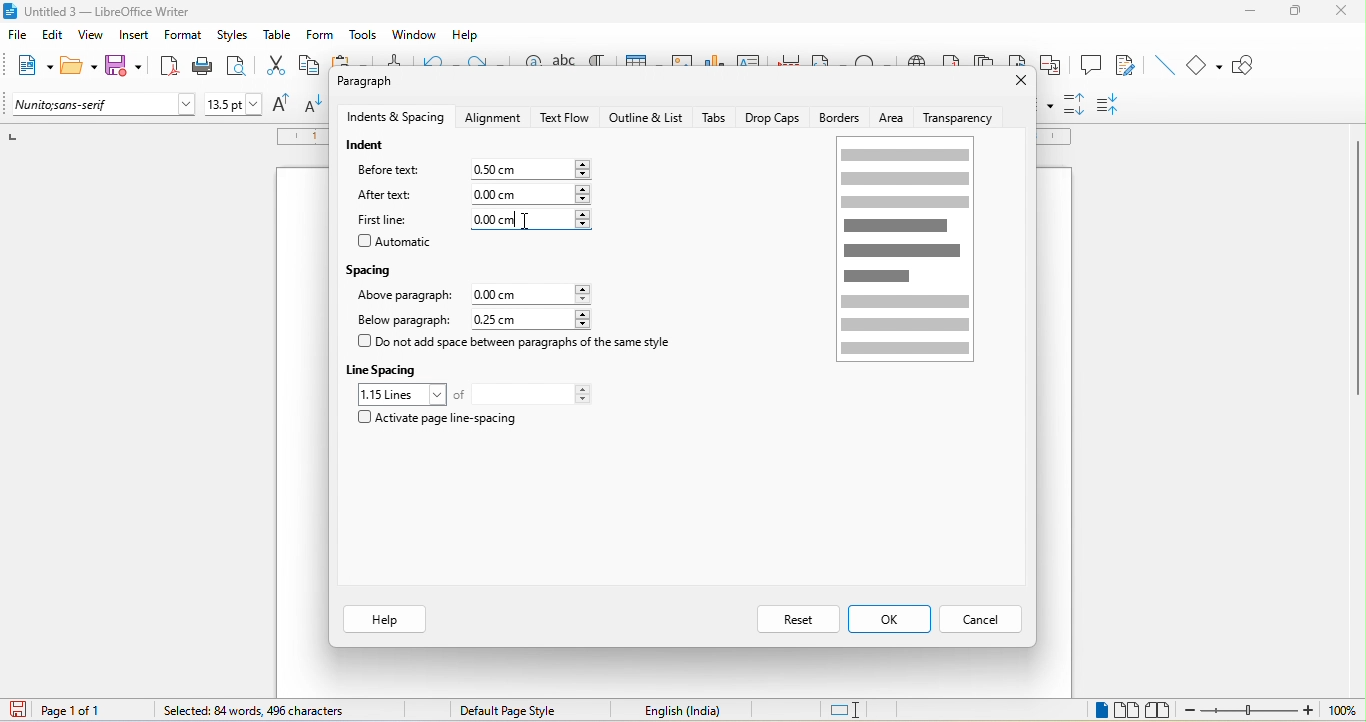 The height and width of the screenshot is (722, 1366). Describe the element at coordinates (276, 67) in the screenshot. I see `cut` at that location.